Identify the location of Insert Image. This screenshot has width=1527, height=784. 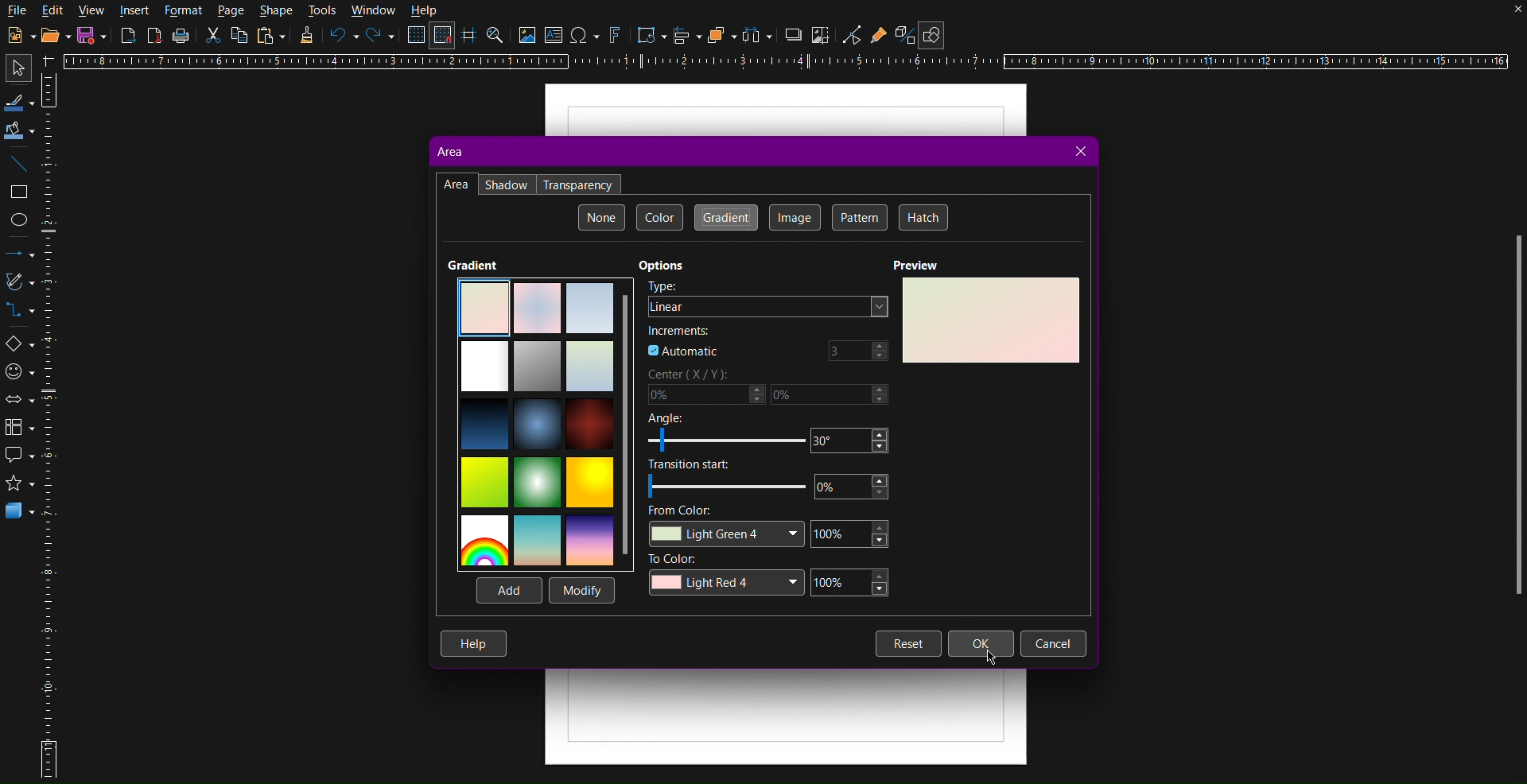
(527, 37).